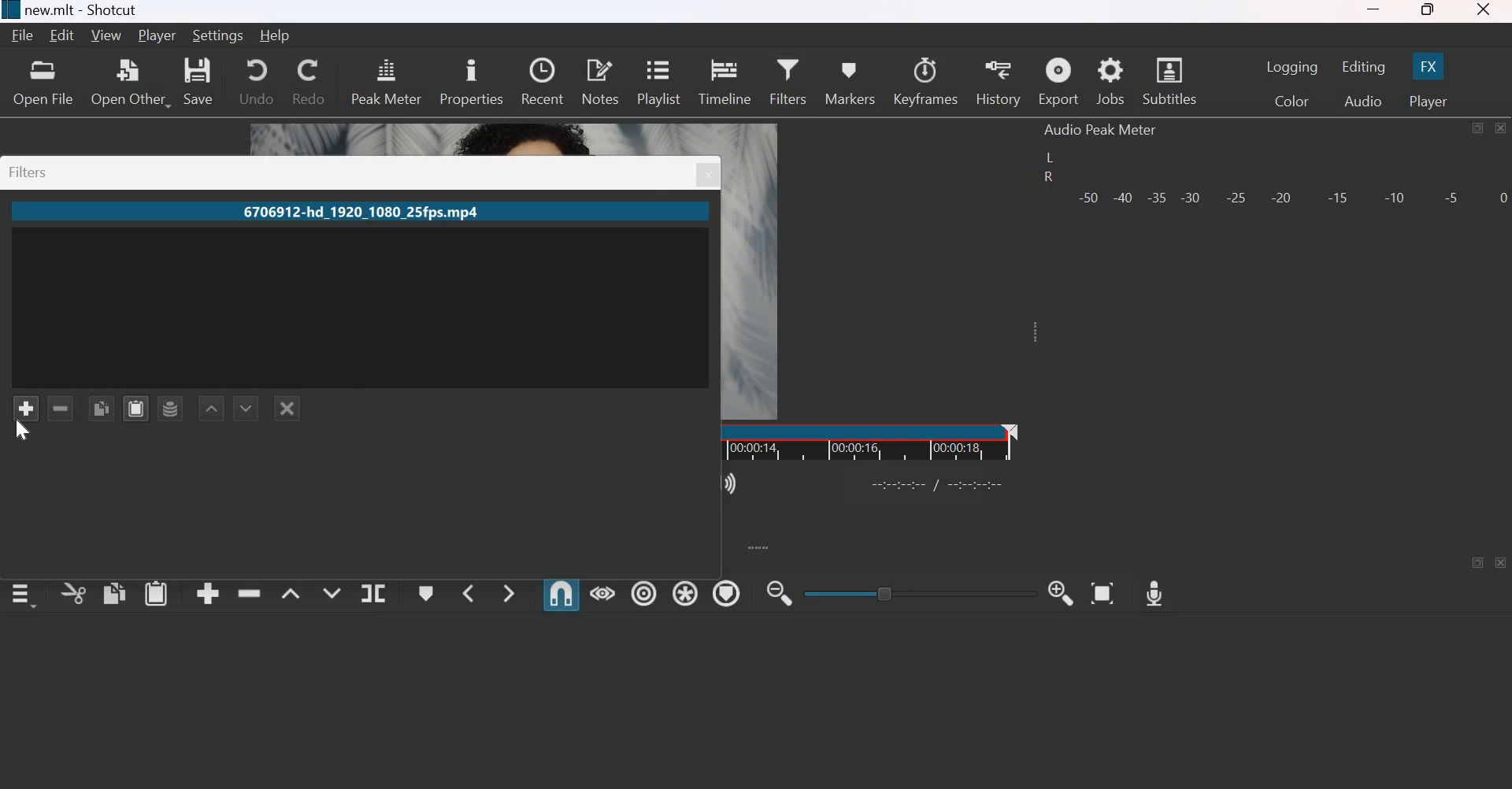 This screenshot has height=789, width=1512. What do you see at coordinates (42, 82) in the screenshot?
I see `open file` at bounding box center [42, 82].